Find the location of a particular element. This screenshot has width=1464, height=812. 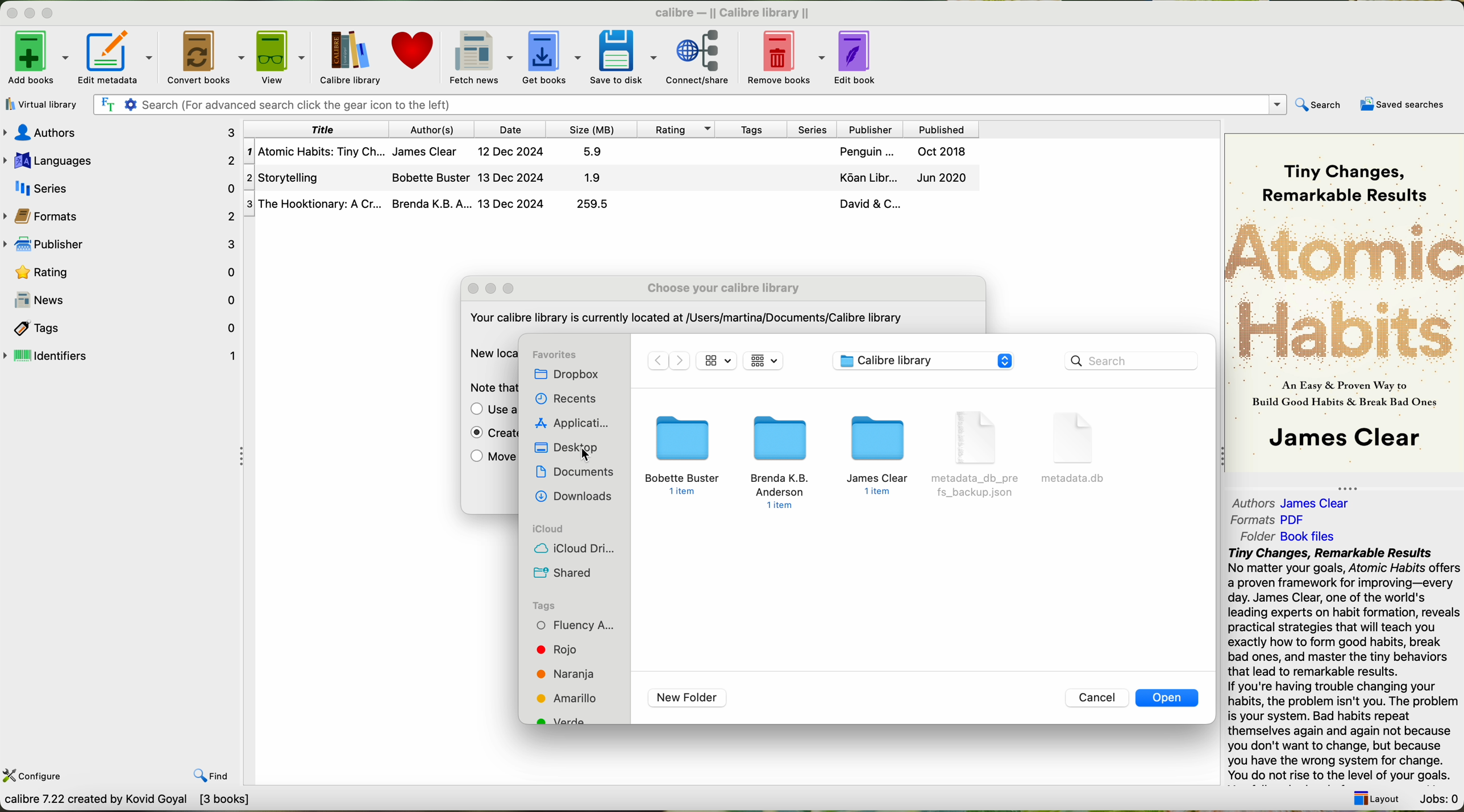

publisher is located at coordinates (868, 129).